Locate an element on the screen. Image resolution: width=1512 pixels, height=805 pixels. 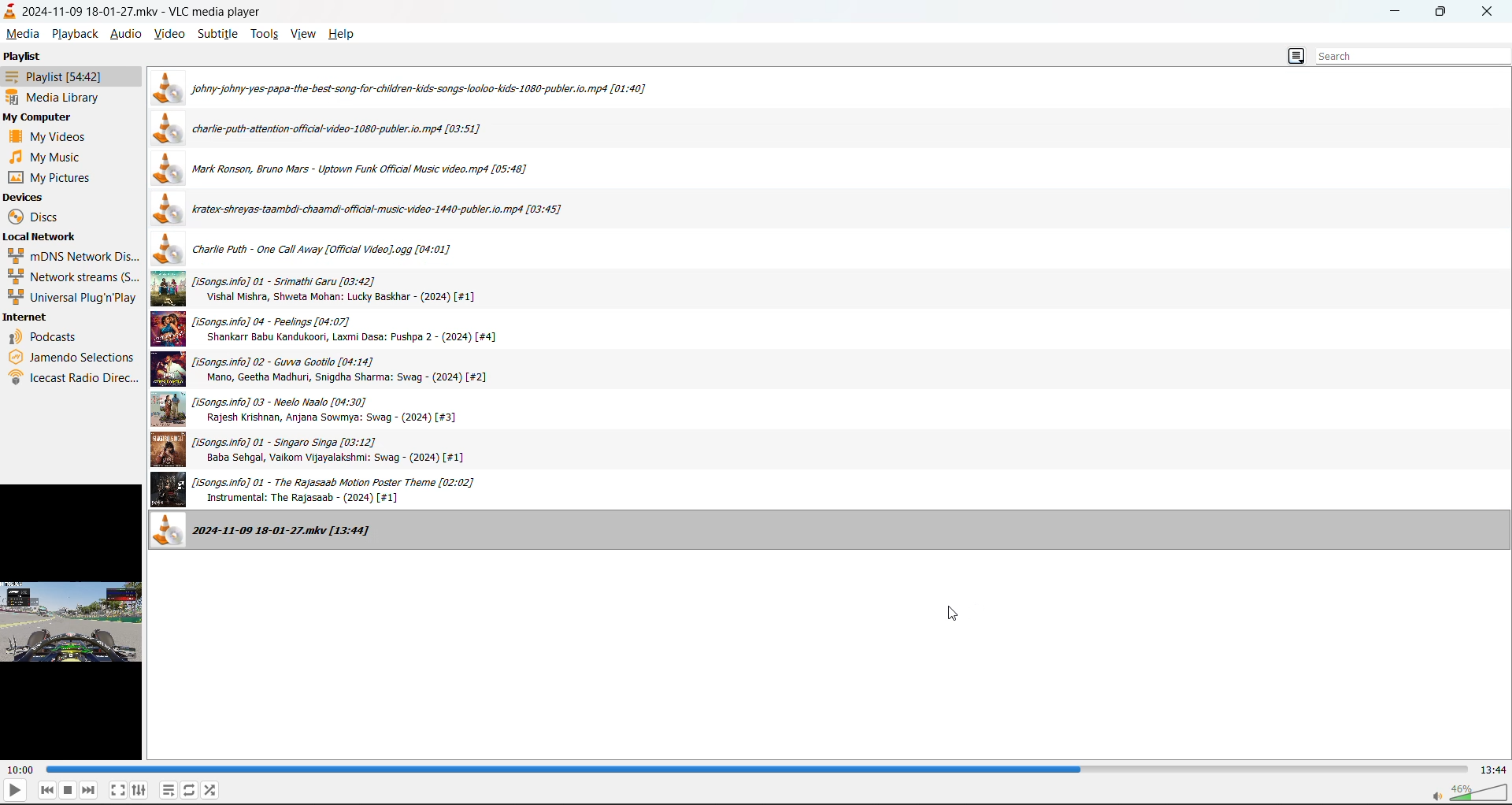
tracks without duration is located at coordinates (315, 410).